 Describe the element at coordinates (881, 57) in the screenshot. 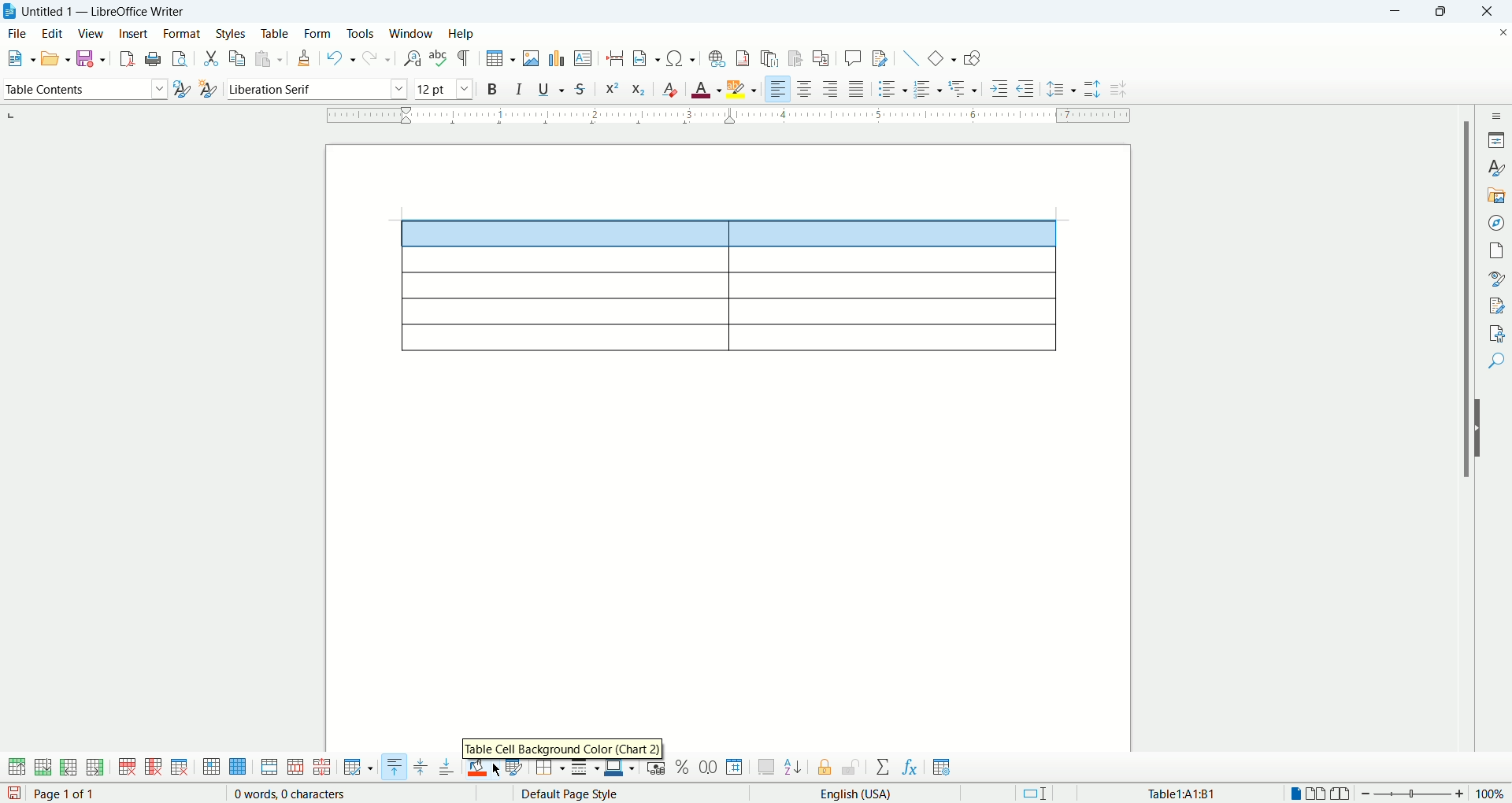

I see `track changes` at that location.